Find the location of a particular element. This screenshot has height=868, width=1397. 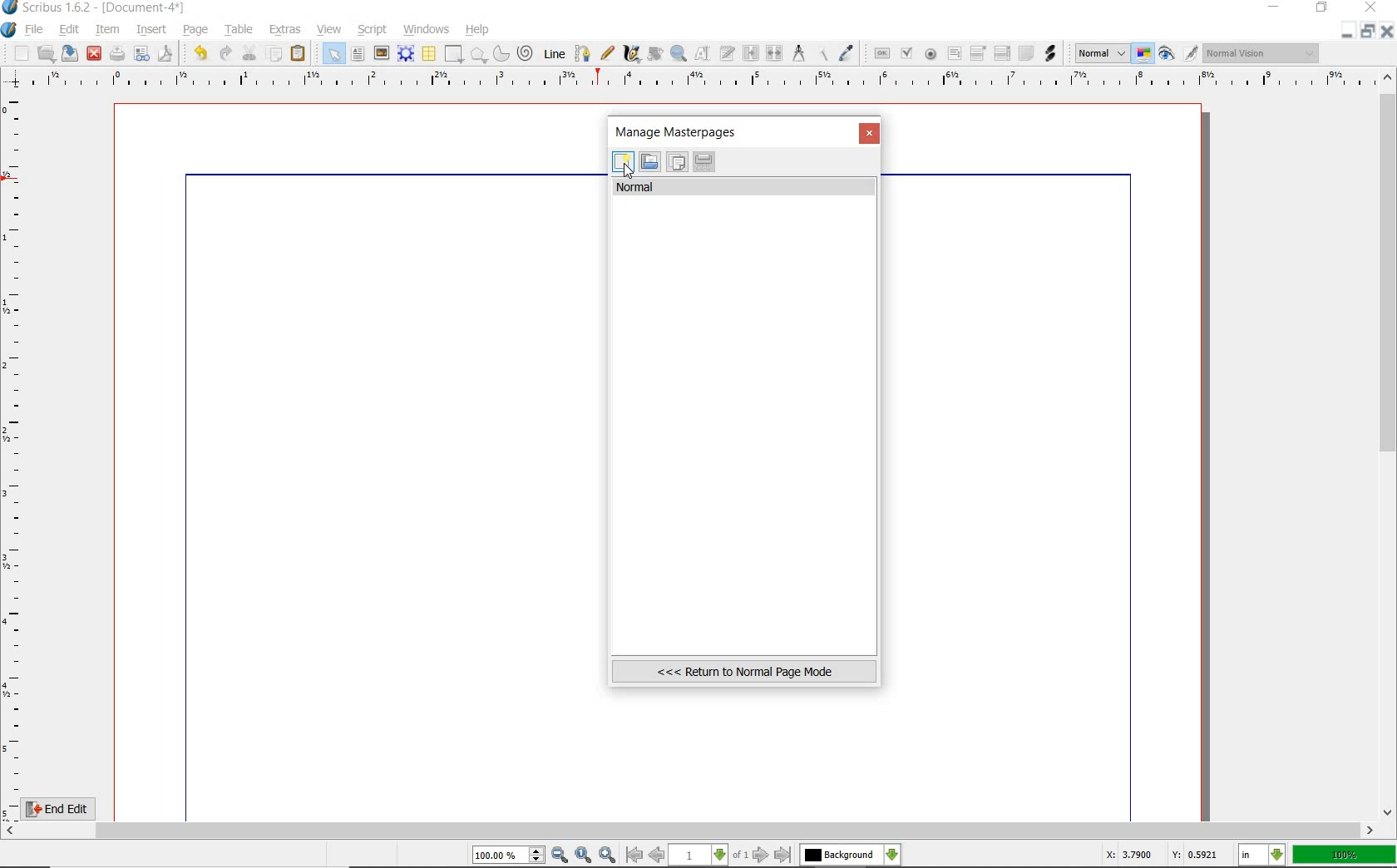

End Edit is located at coordinates (71, 808).